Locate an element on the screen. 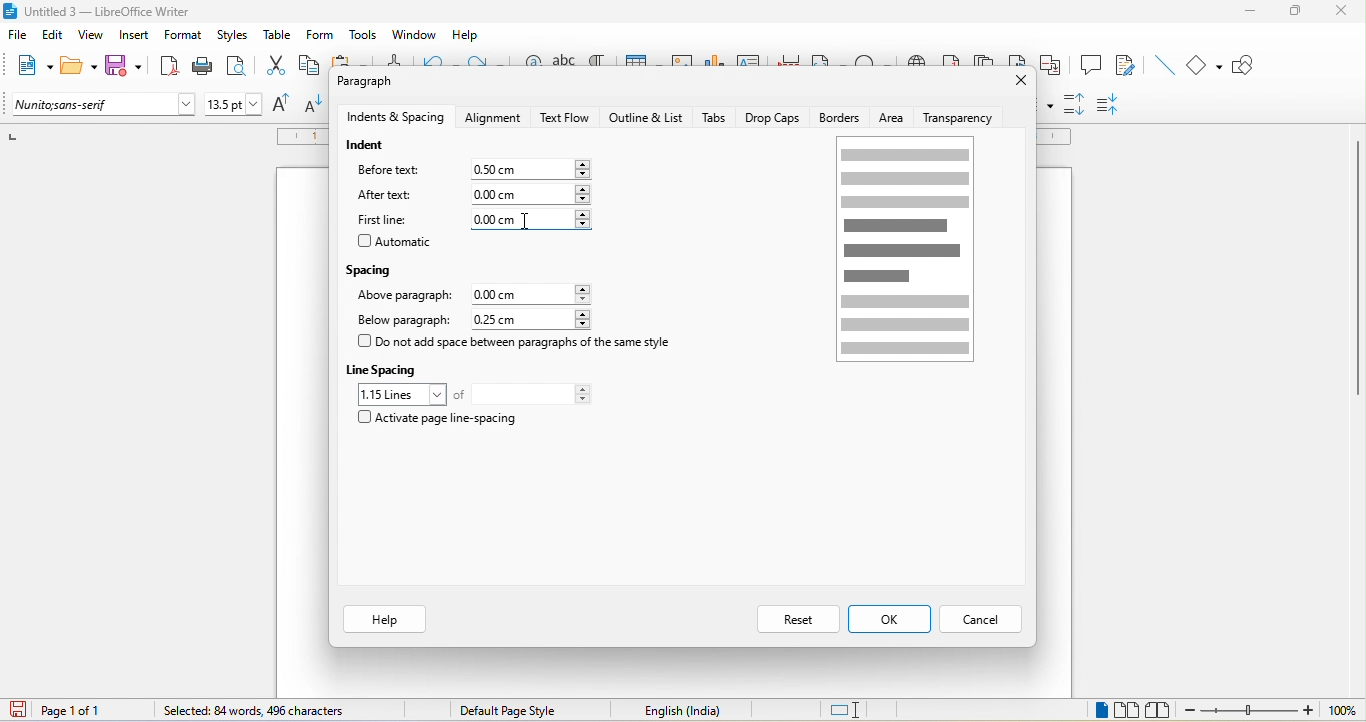  title is located at coordinates (97, 12).